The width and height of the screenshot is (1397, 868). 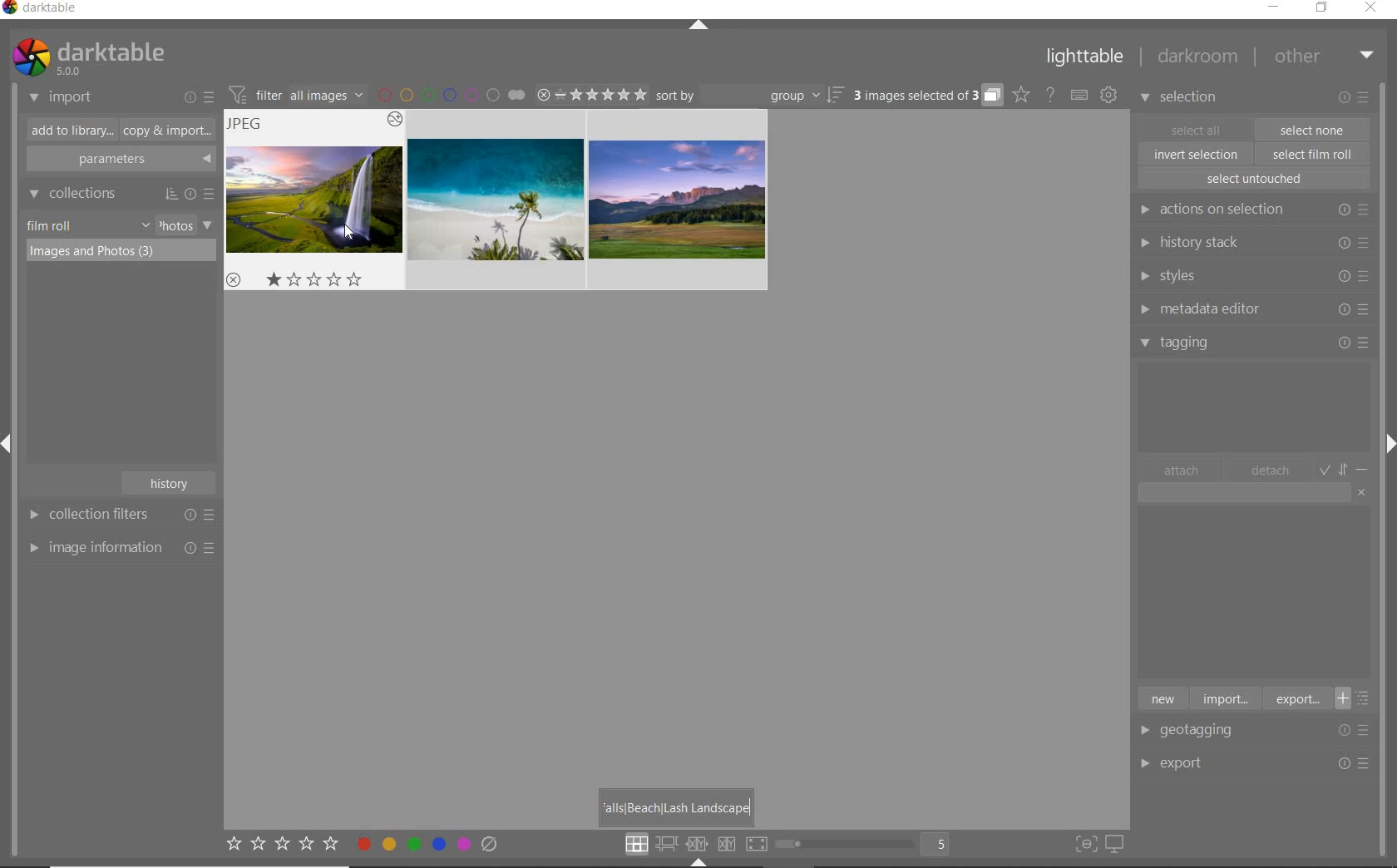 I want to click on select untouched, so click(x=1253, y=179).